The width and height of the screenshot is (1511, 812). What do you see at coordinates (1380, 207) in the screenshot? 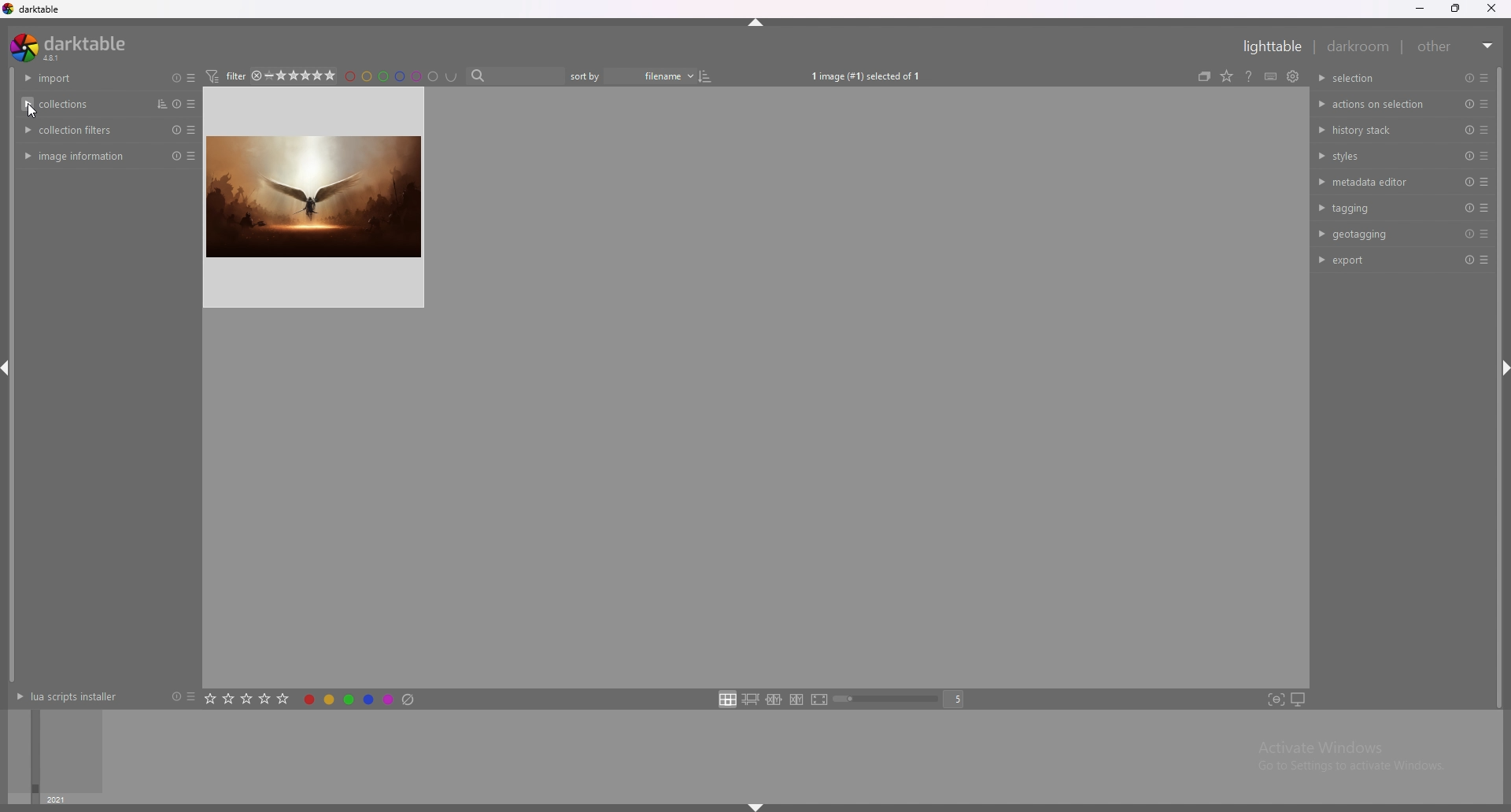
I see `tagging` at bounding box center [1380, 207].